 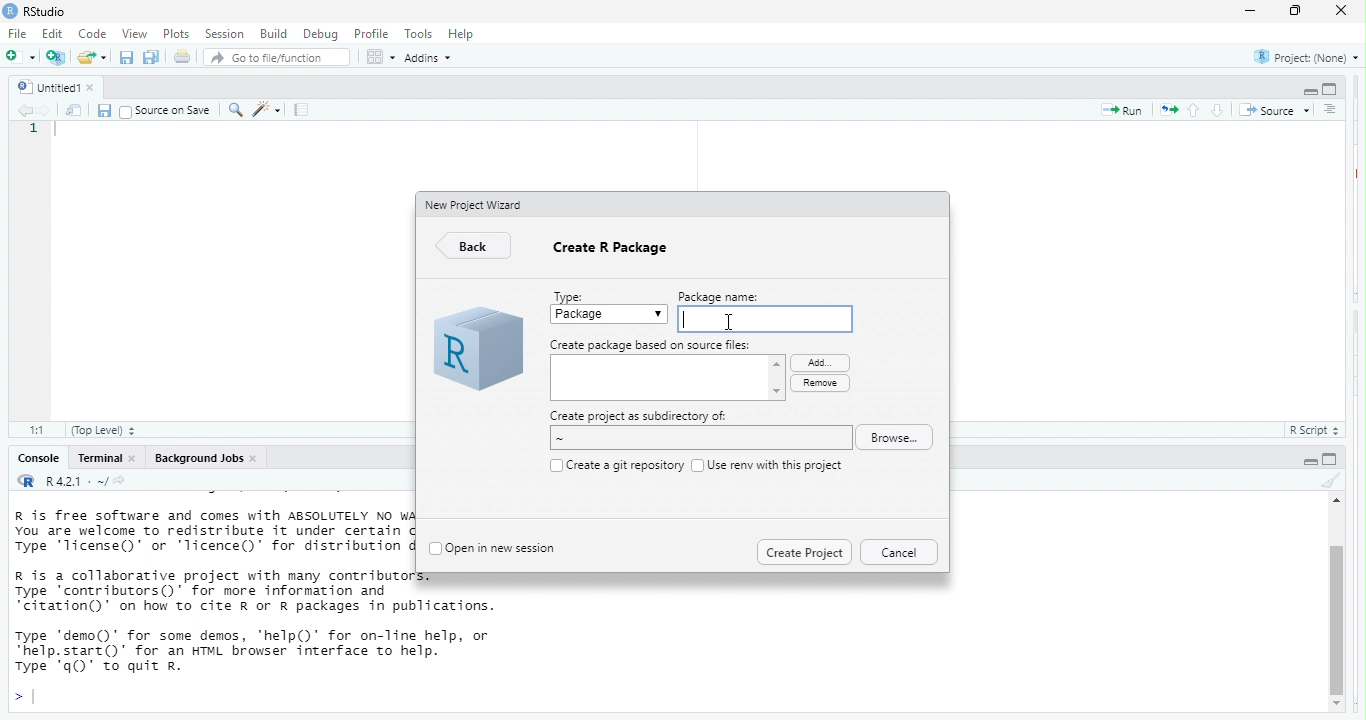 I want to click on show document outline, so click(x=1329, y=109).